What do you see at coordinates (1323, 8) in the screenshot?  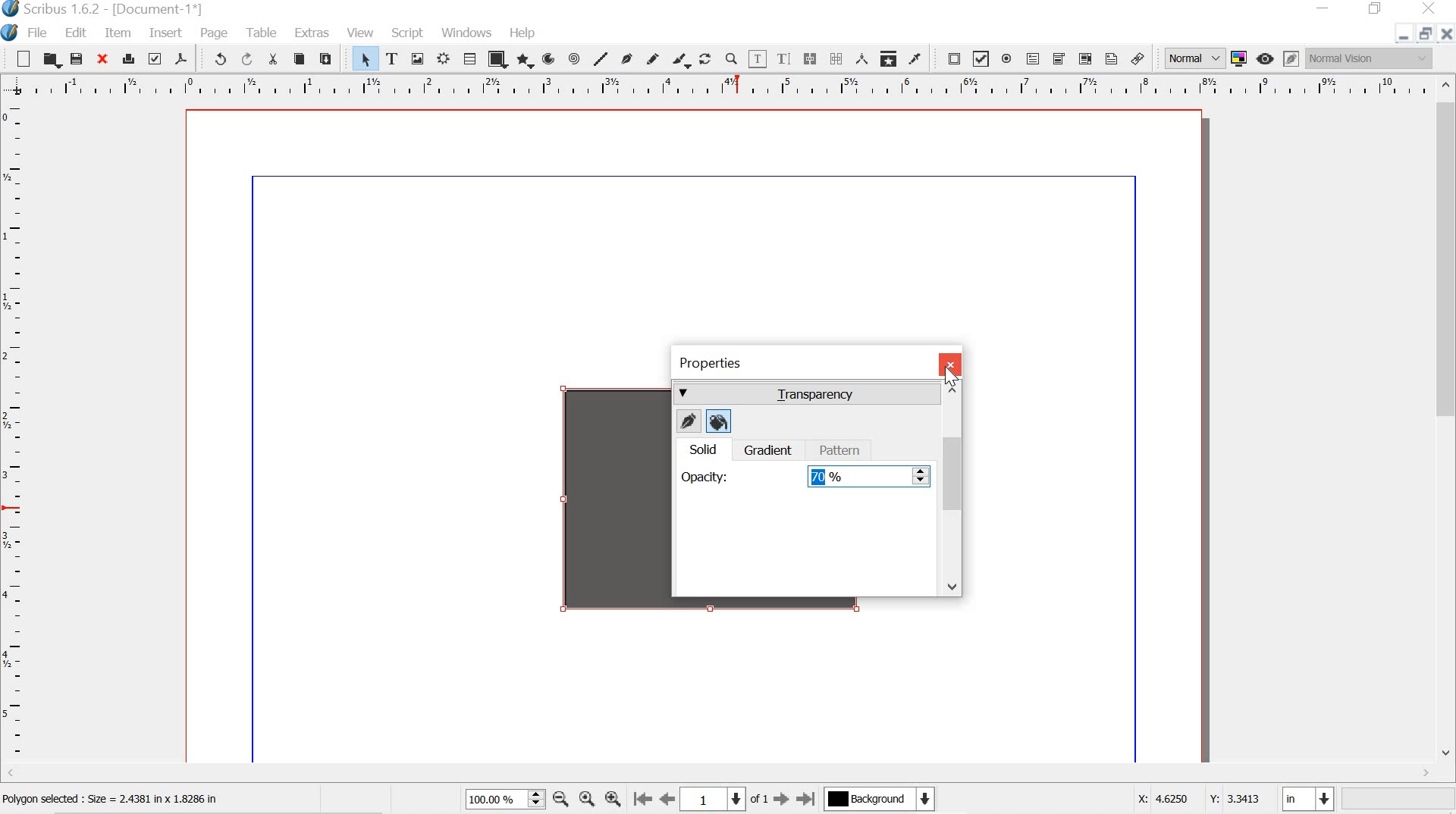 I see `minimize` at bounding box center [1323, 8].